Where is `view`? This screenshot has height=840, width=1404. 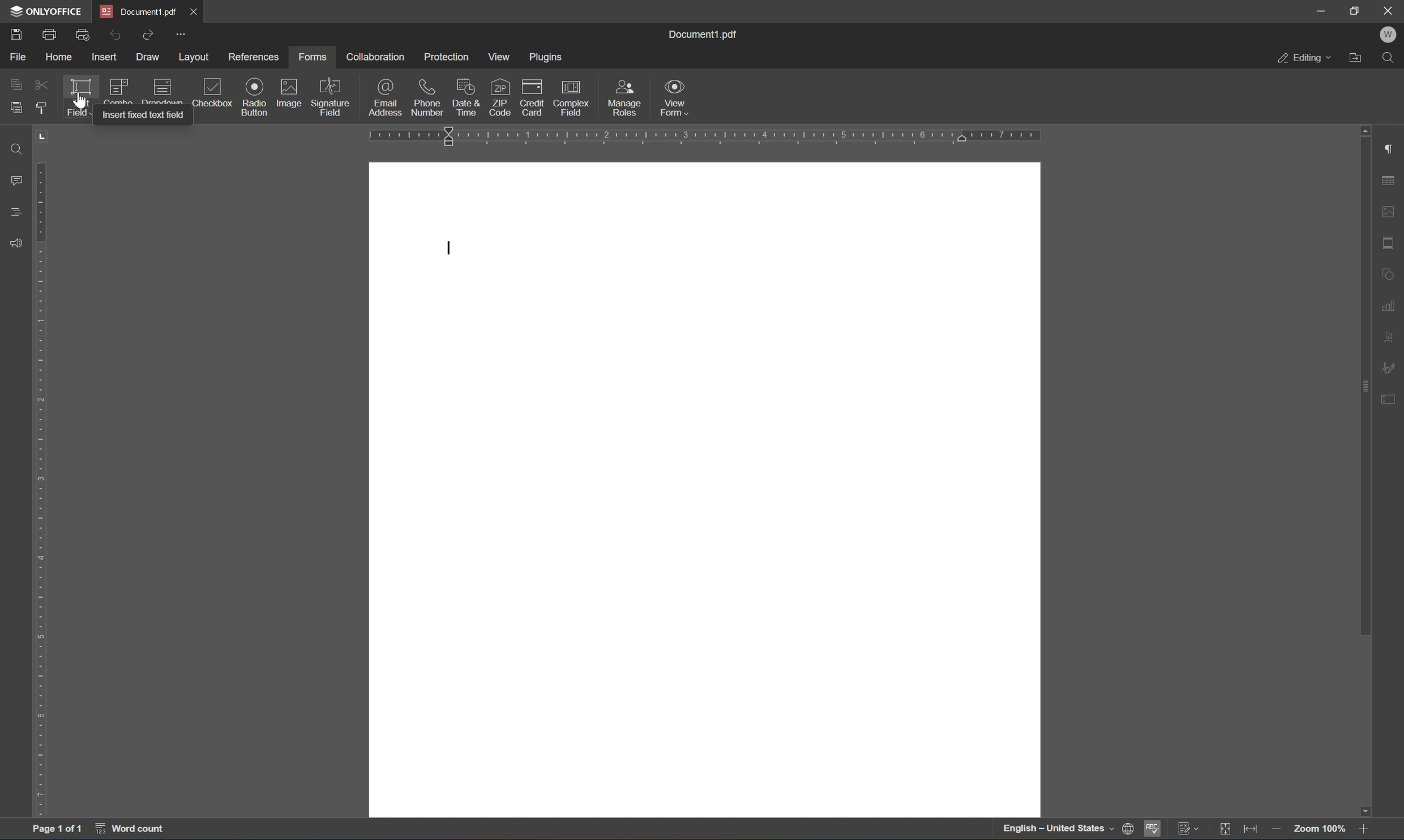 view is located at coordinates (497, 54).